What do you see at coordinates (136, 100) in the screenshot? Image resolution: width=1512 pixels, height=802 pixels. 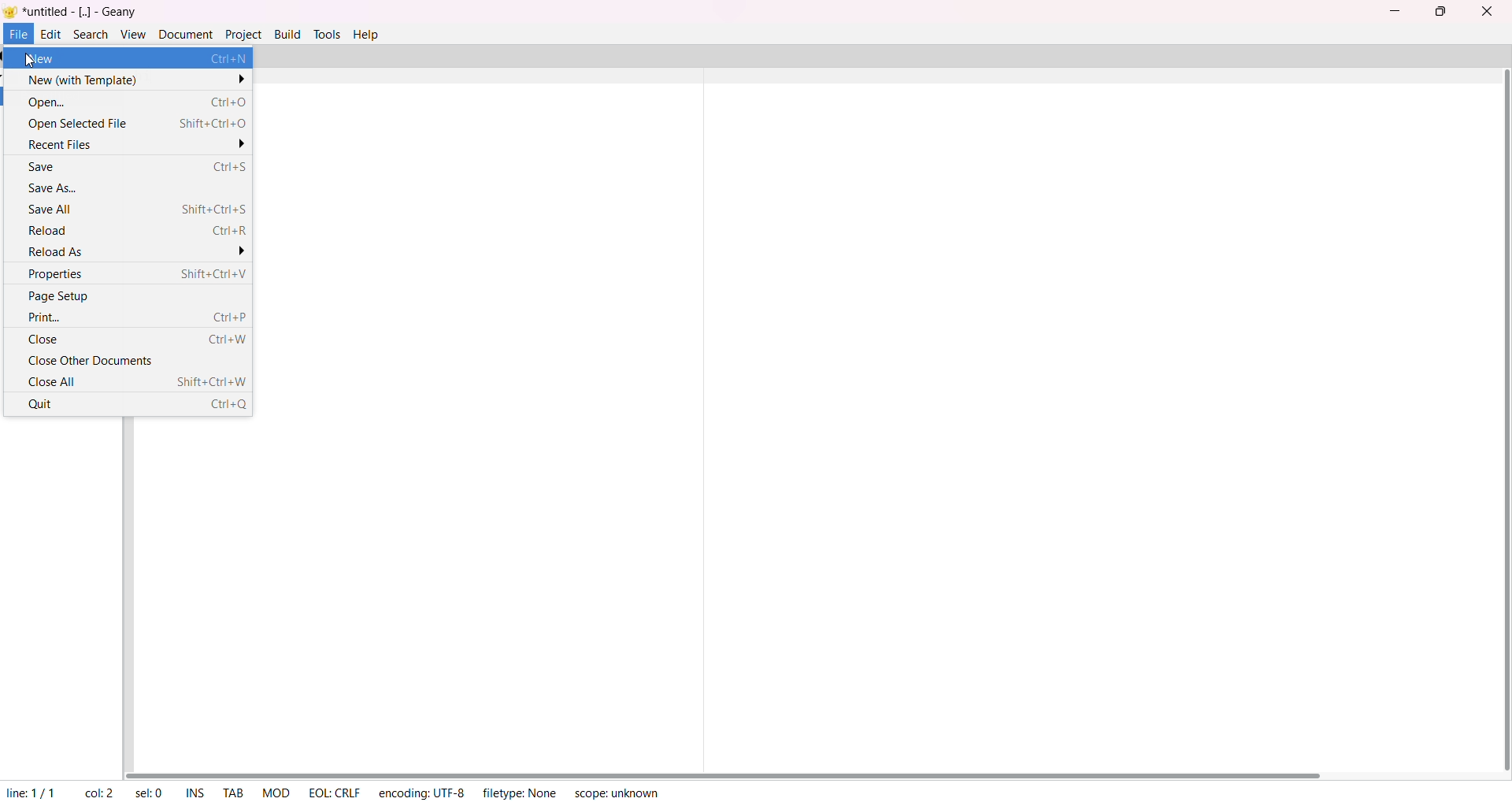 I see `open...    Ctrl+O` at bounding box center [136, 100].